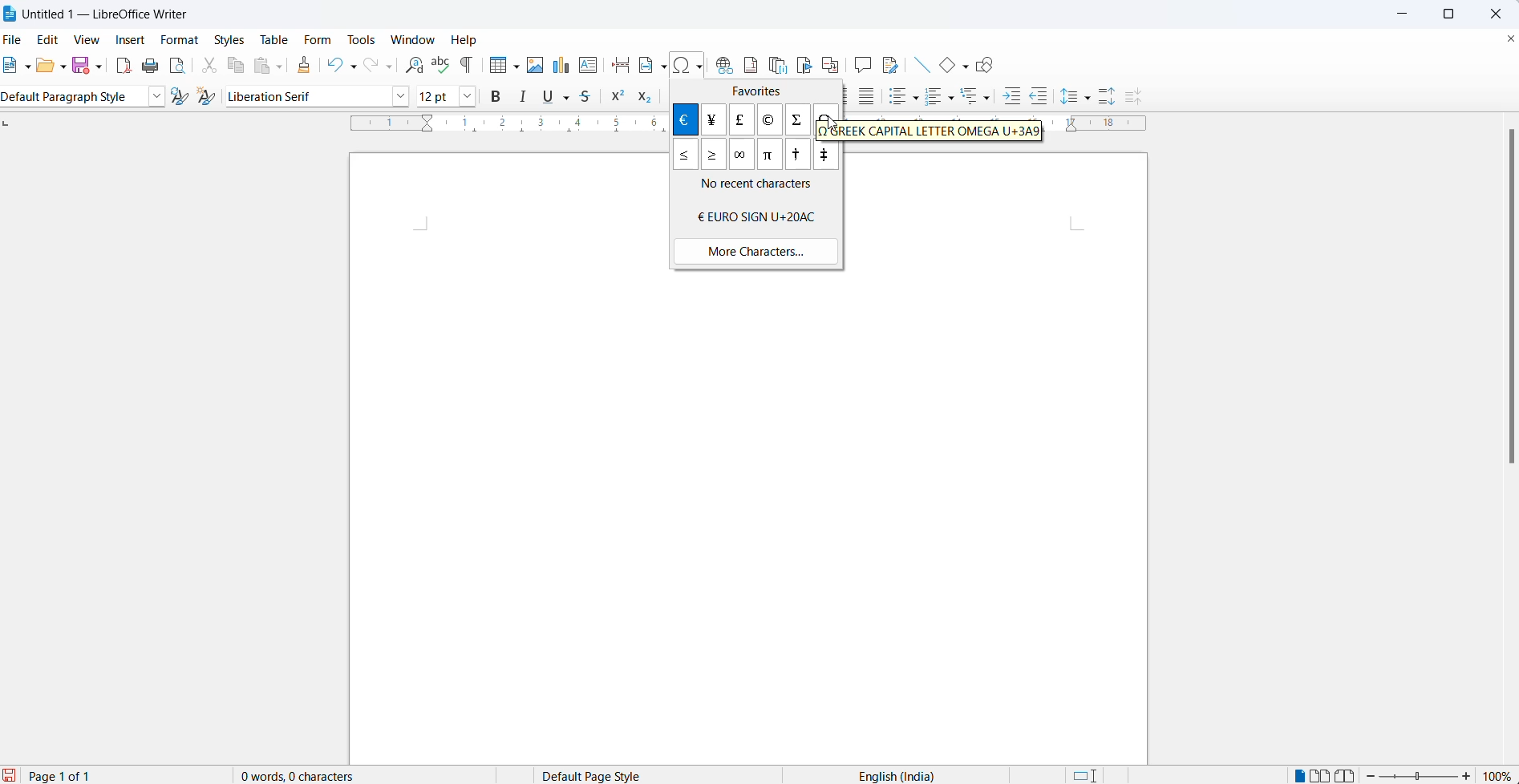 Image resolution: width=1519 pixels, height=784 pixels. What do you see at coordinates (306, 66) in the screenshot?
I see `clone formatting` at bounding box center [306, 66].